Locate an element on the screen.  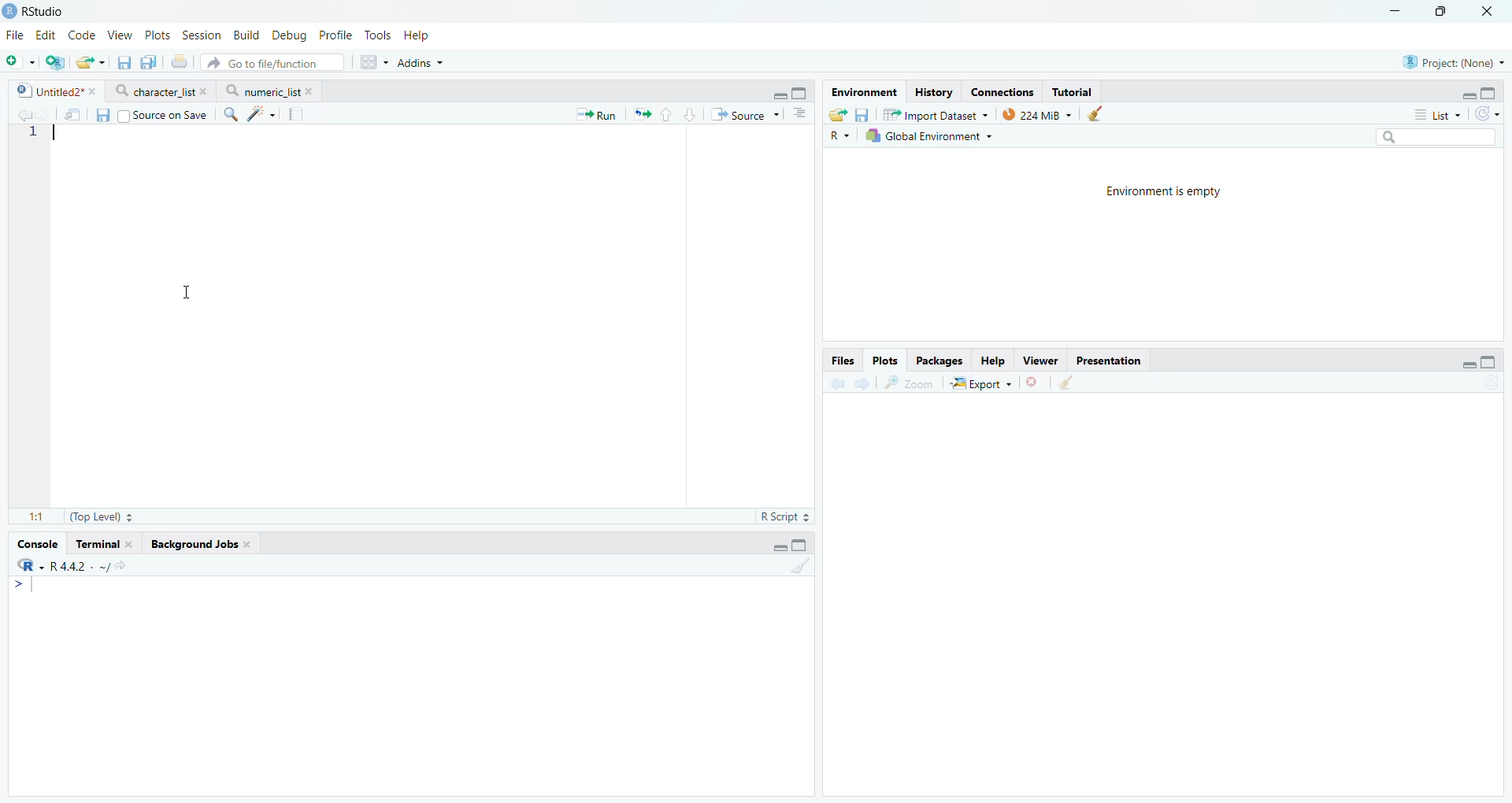
Go to next plot is located at coordinates (865, 382).